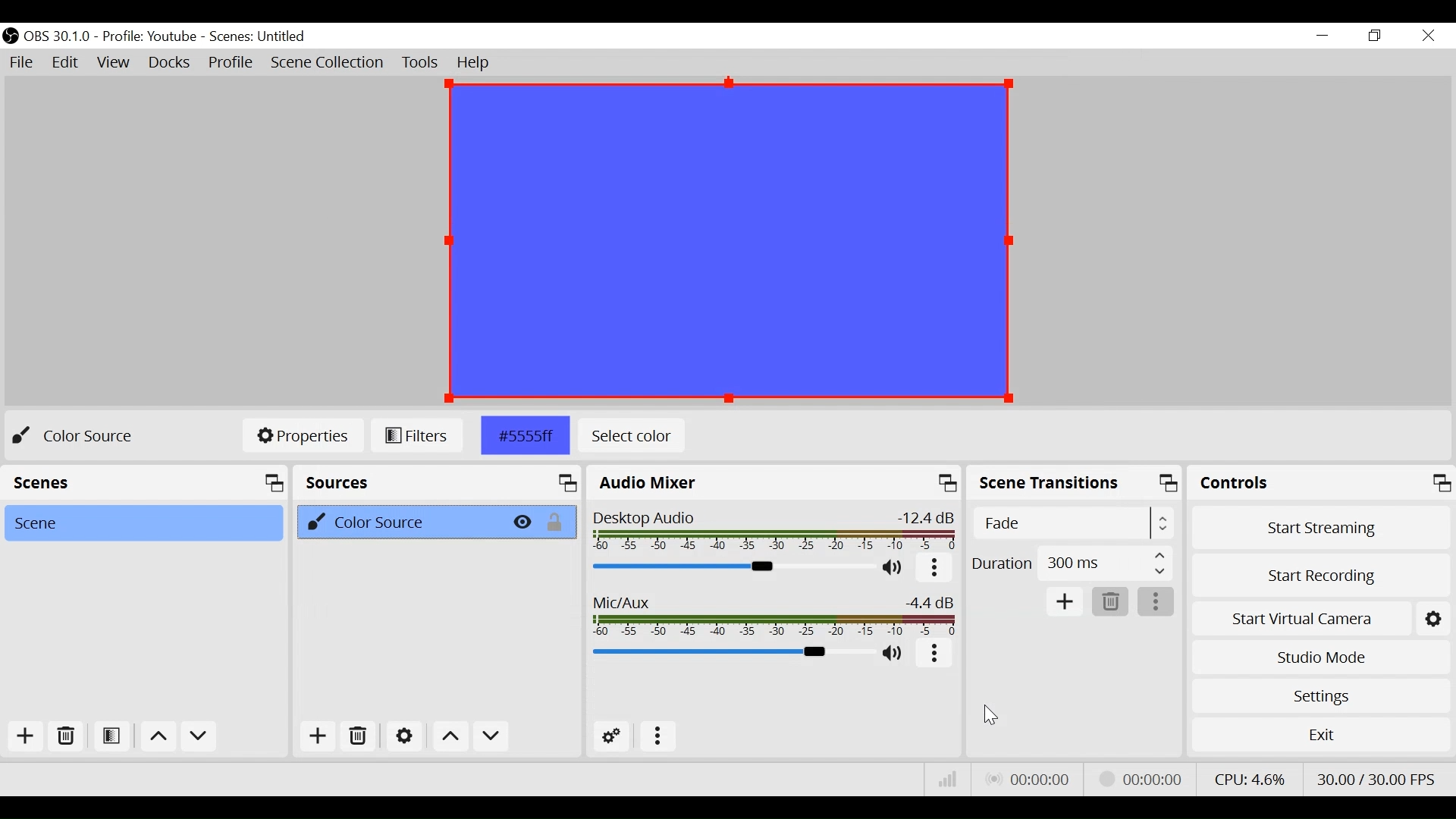  What do you see at coordinates (479, 62) in the screenshot?
I see `Help` at bounding box center [479, 62].